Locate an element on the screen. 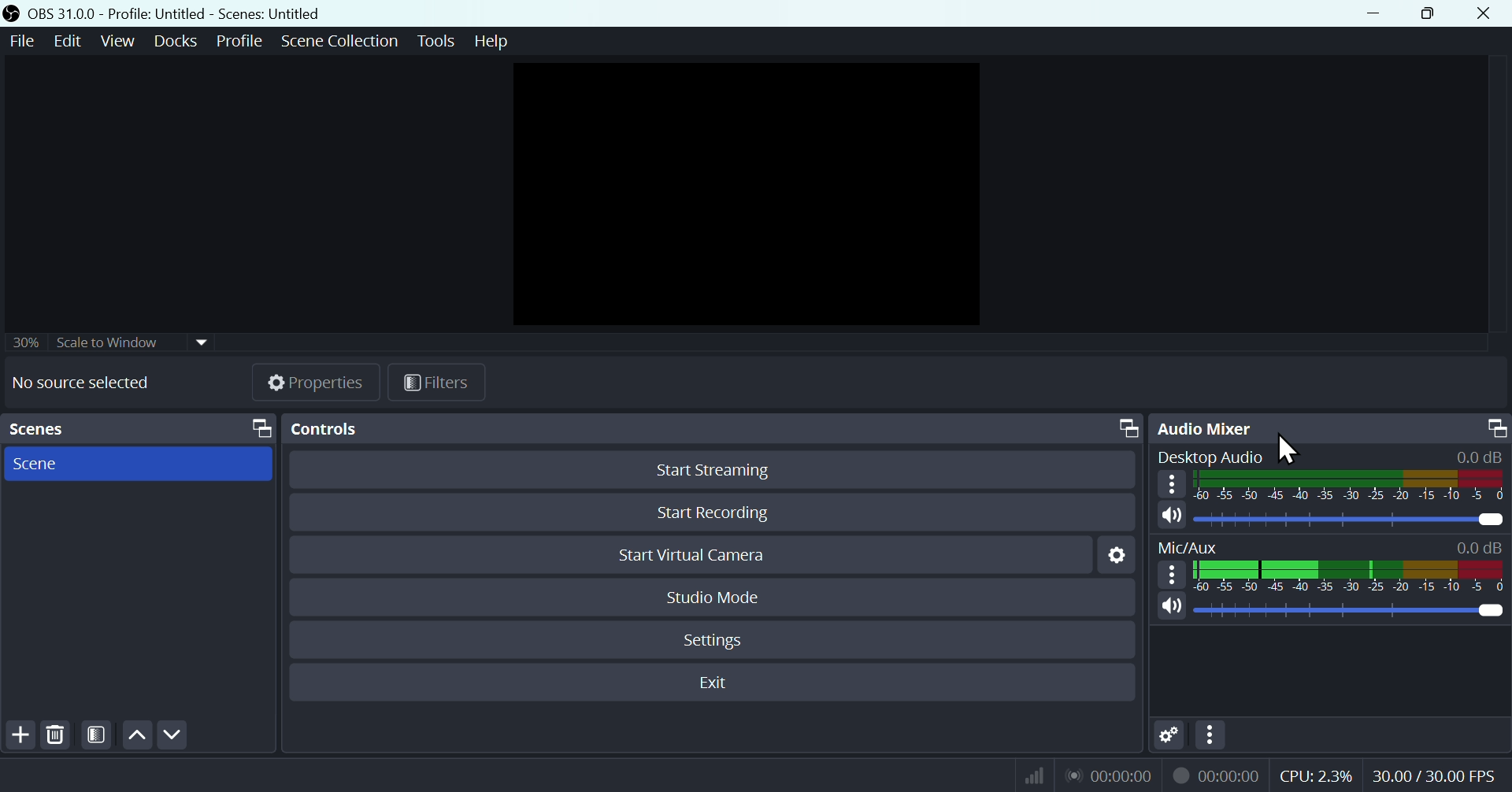 This screenshot has height=792, width=1512. Edit is located at coordinates (69, 40).